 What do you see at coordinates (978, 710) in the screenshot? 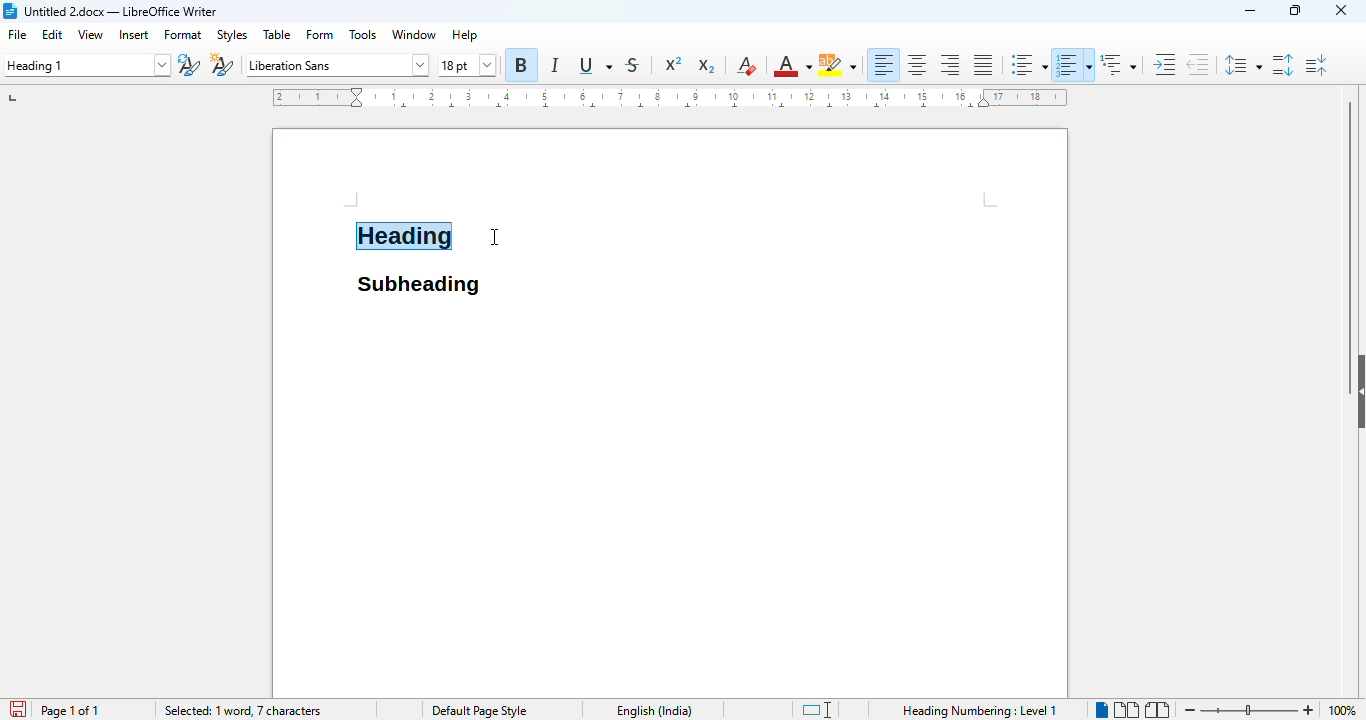
I see `heading numbering: level 1` at bounding box center [978, 710].